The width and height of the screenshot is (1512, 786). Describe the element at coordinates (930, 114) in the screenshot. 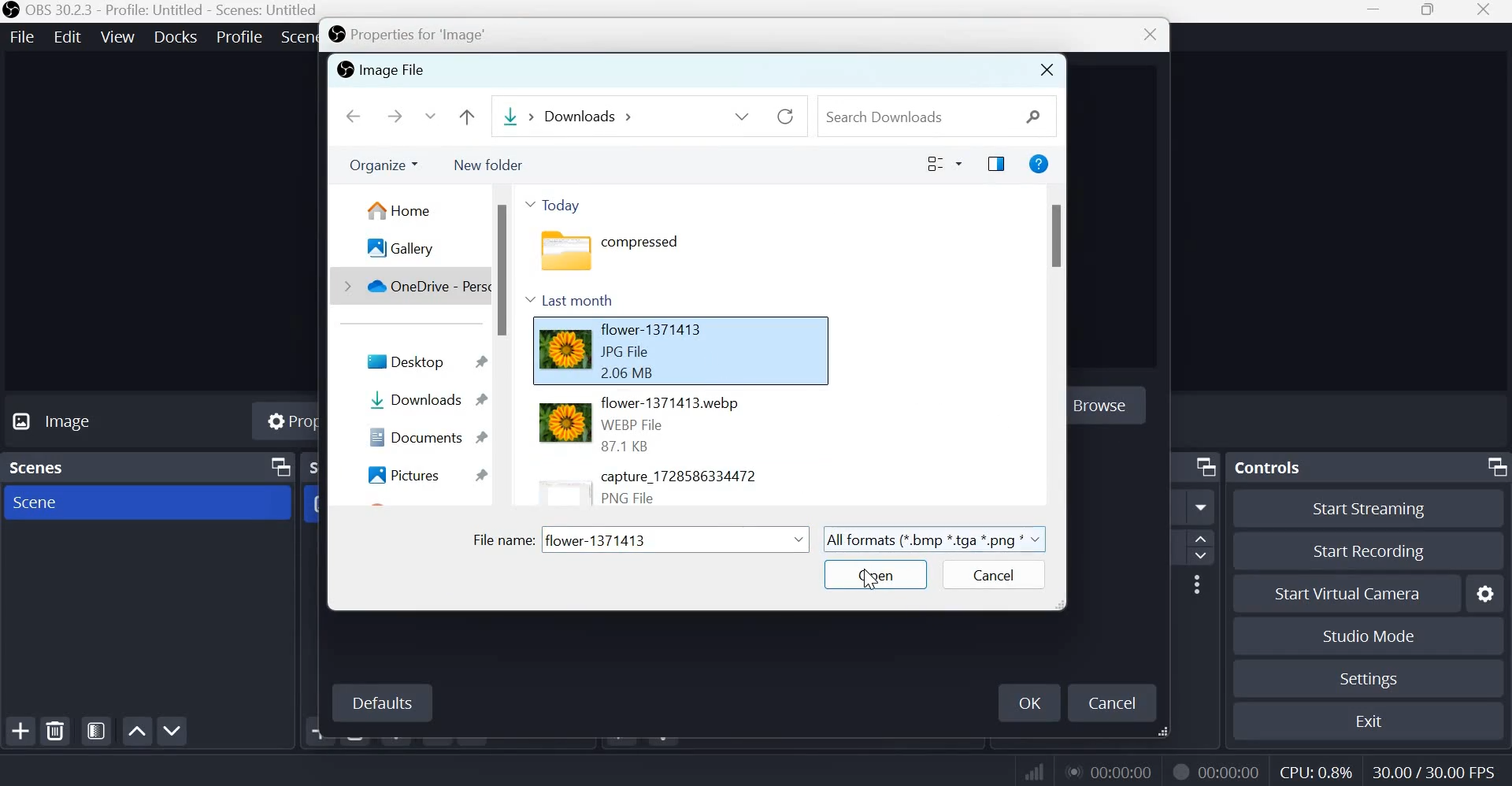

I see `Search downloads` at that location.